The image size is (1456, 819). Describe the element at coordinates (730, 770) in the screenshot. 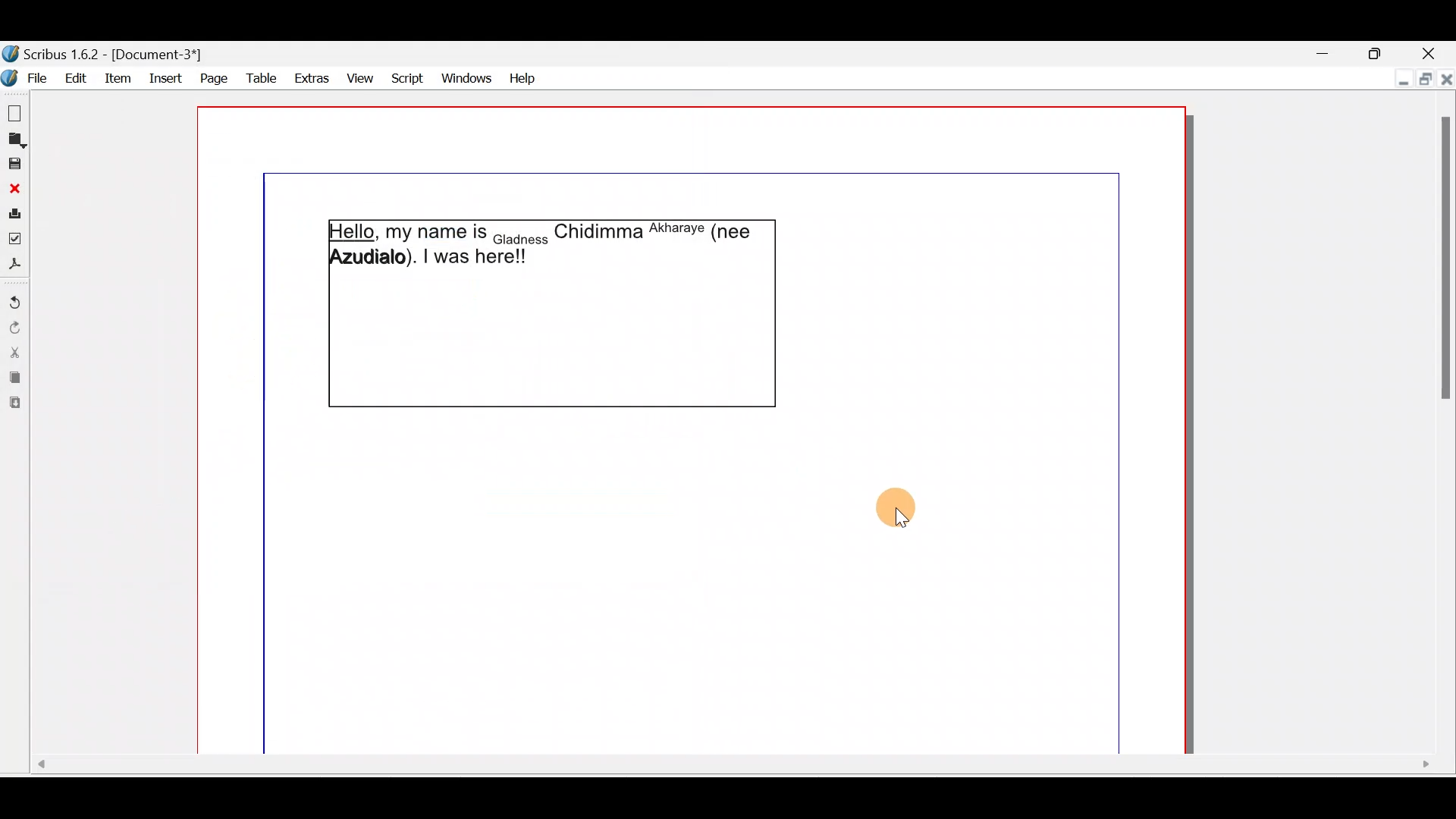

I see `Scroll bar` at that location.